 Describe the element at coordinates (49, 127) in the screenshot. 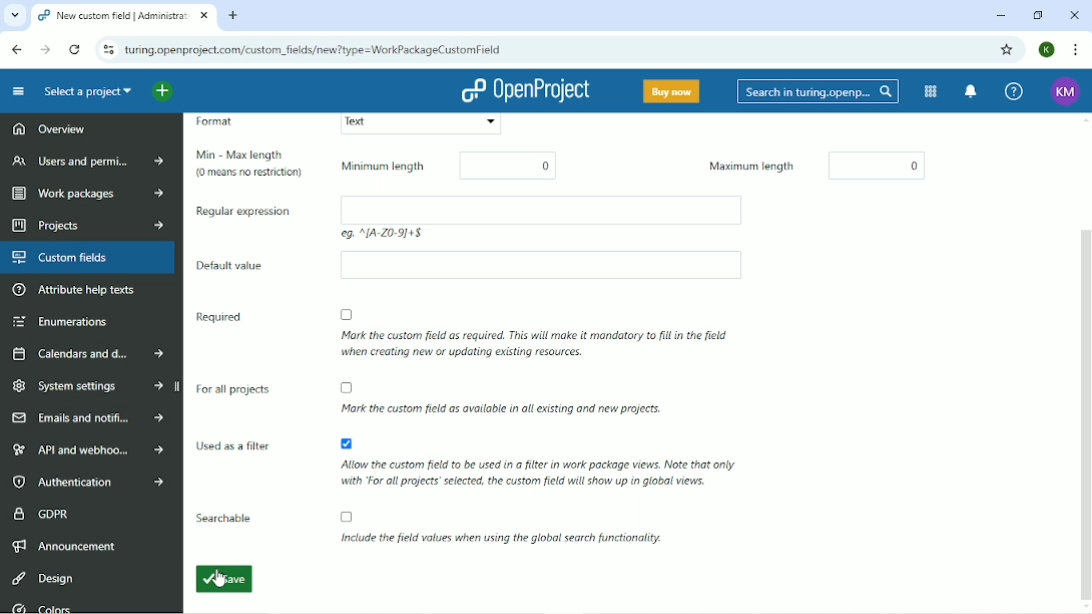

I see `Overview` at that location.